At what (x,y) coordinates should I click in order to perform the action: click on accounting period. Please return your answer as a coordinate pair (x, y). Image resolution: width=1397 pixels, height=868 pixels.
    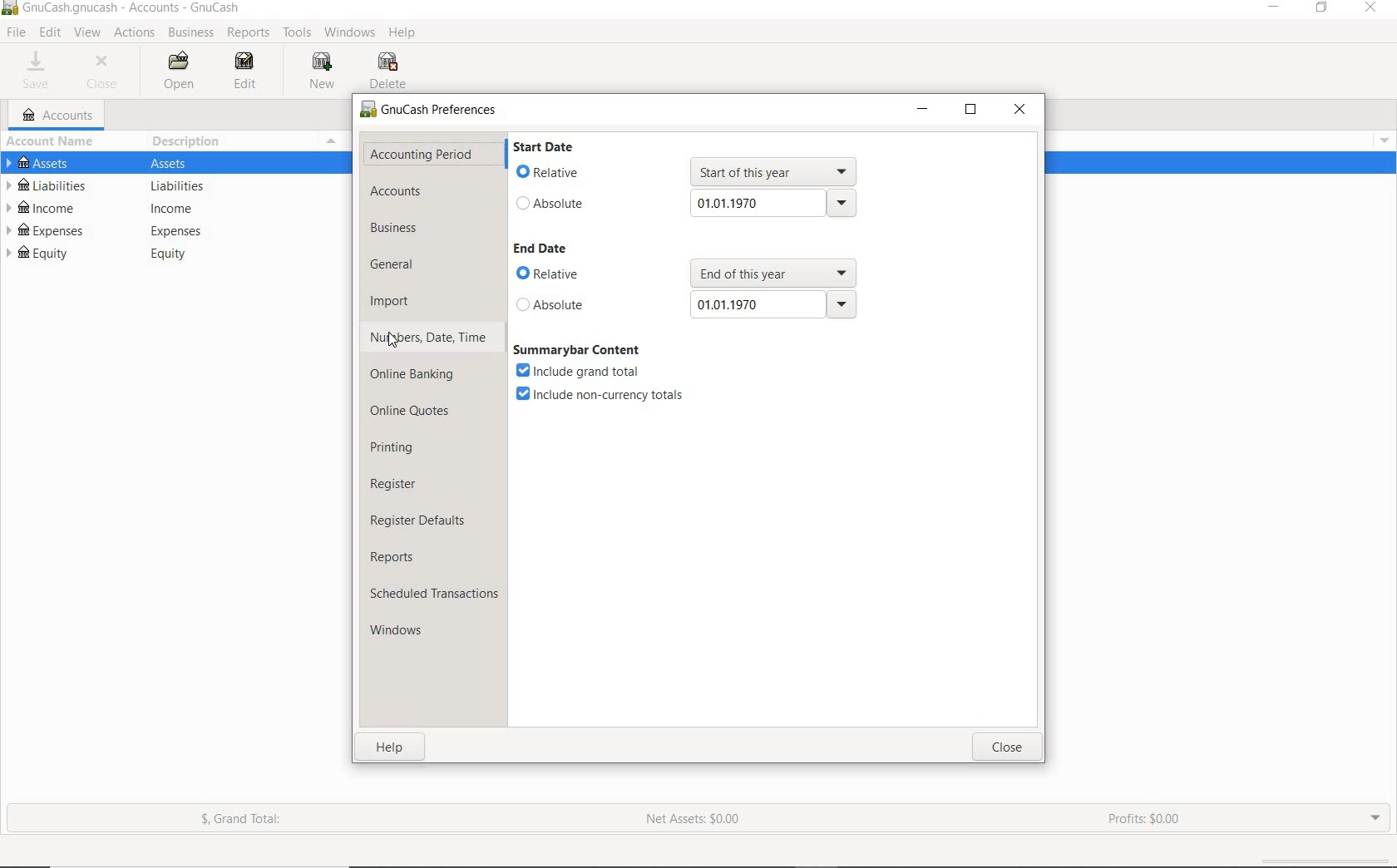
    Looking at the image, I should click on (422, 155).